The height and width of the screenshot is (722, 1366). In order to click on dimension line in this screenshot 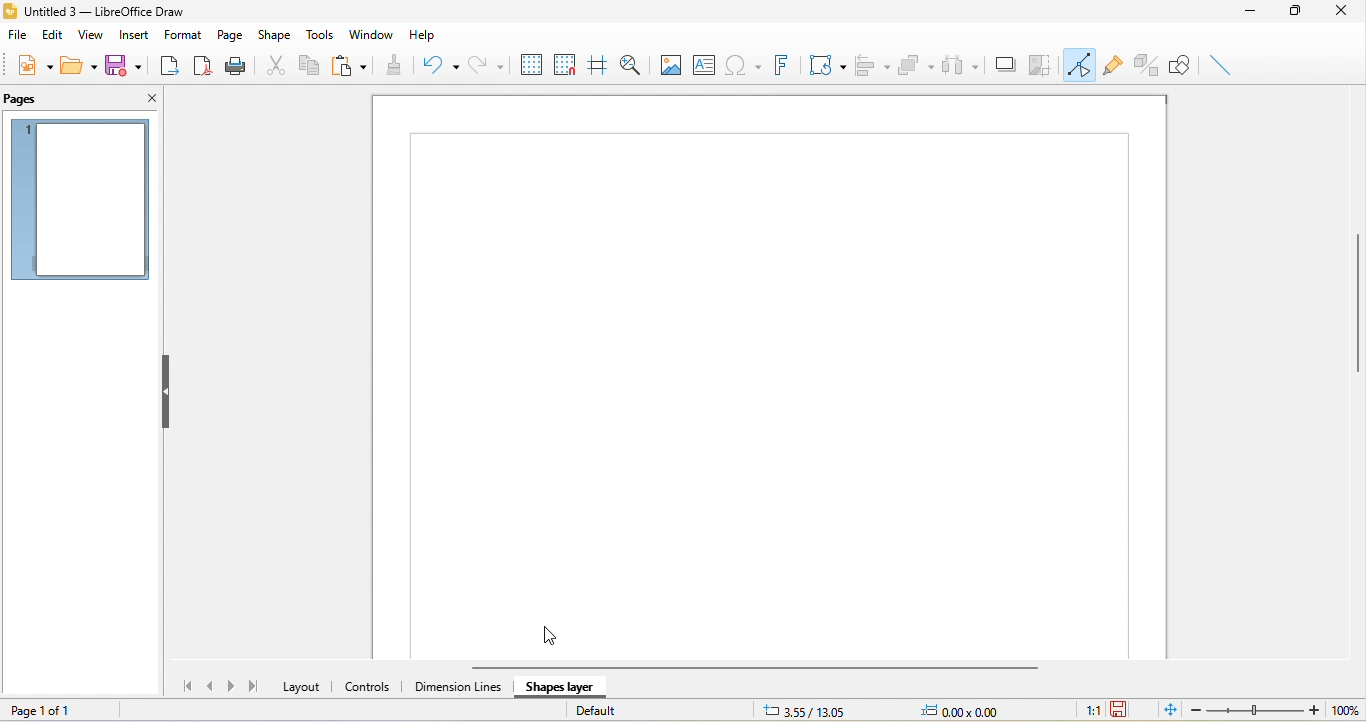, I will do `click(455, 689)`.